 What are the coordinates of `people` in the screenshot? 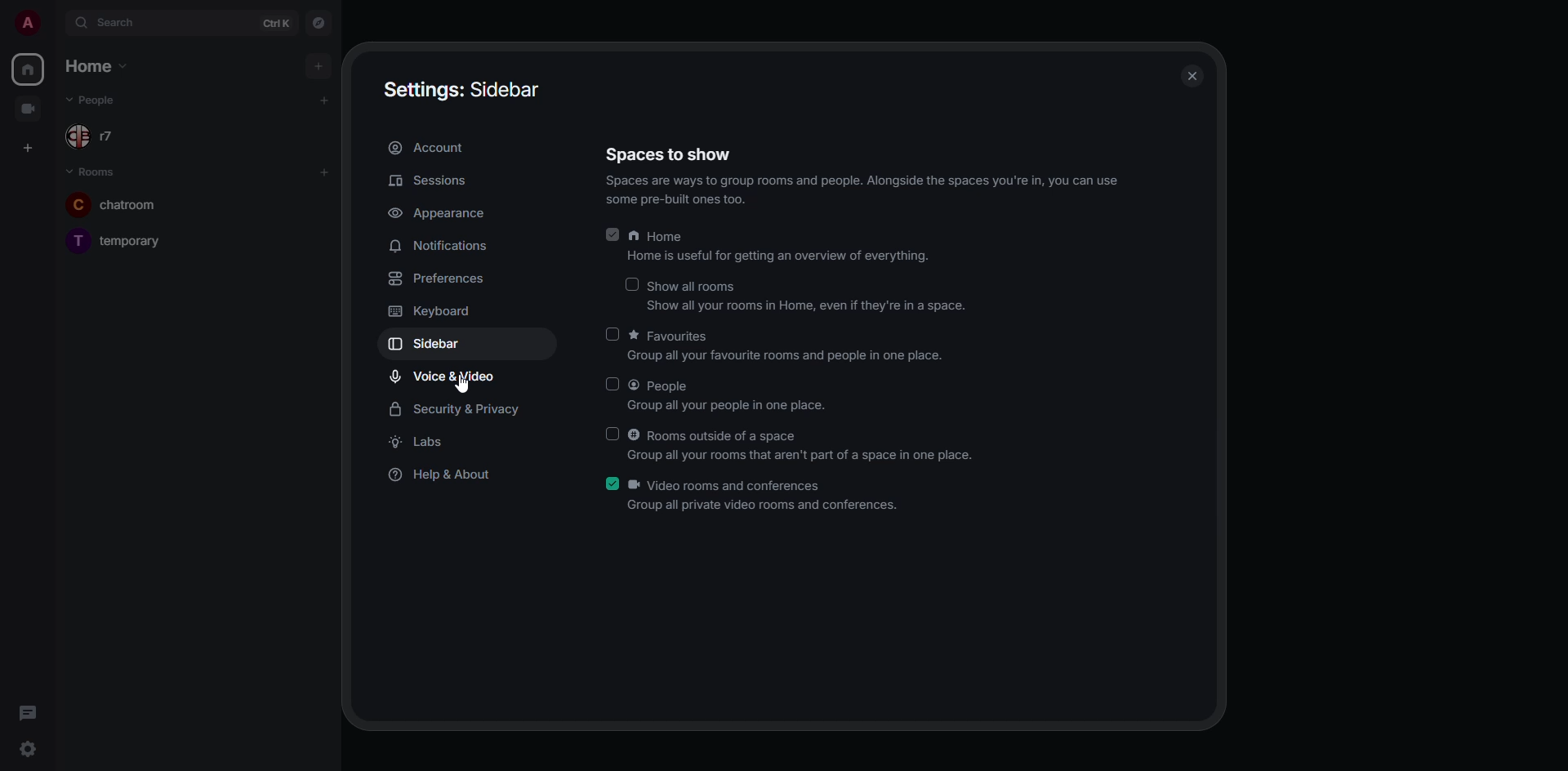 It's located at (732, 394).